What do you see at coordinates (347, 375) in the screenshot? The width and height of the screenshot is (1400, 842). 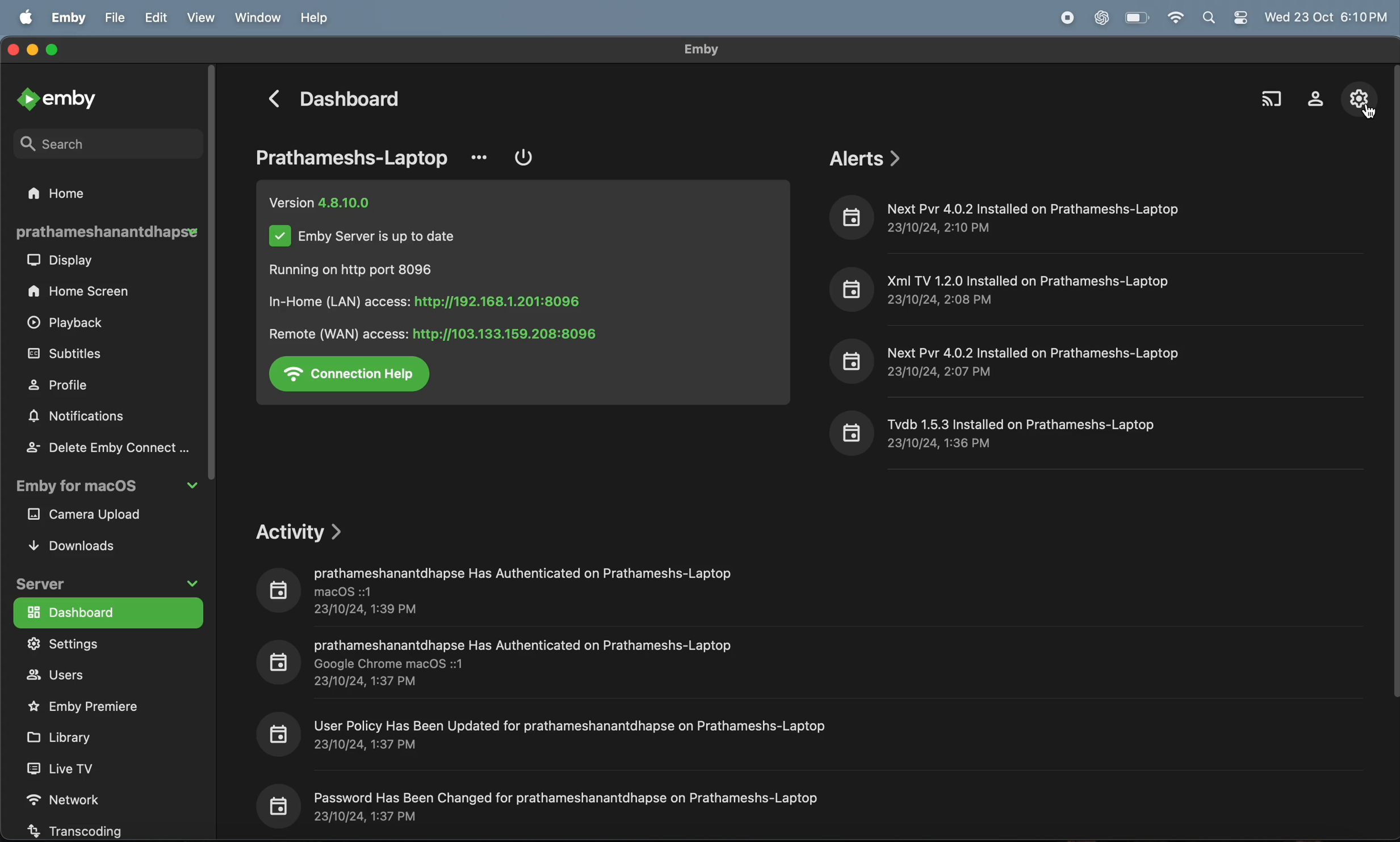 I see `connection help` at bounding box center [347, 375].